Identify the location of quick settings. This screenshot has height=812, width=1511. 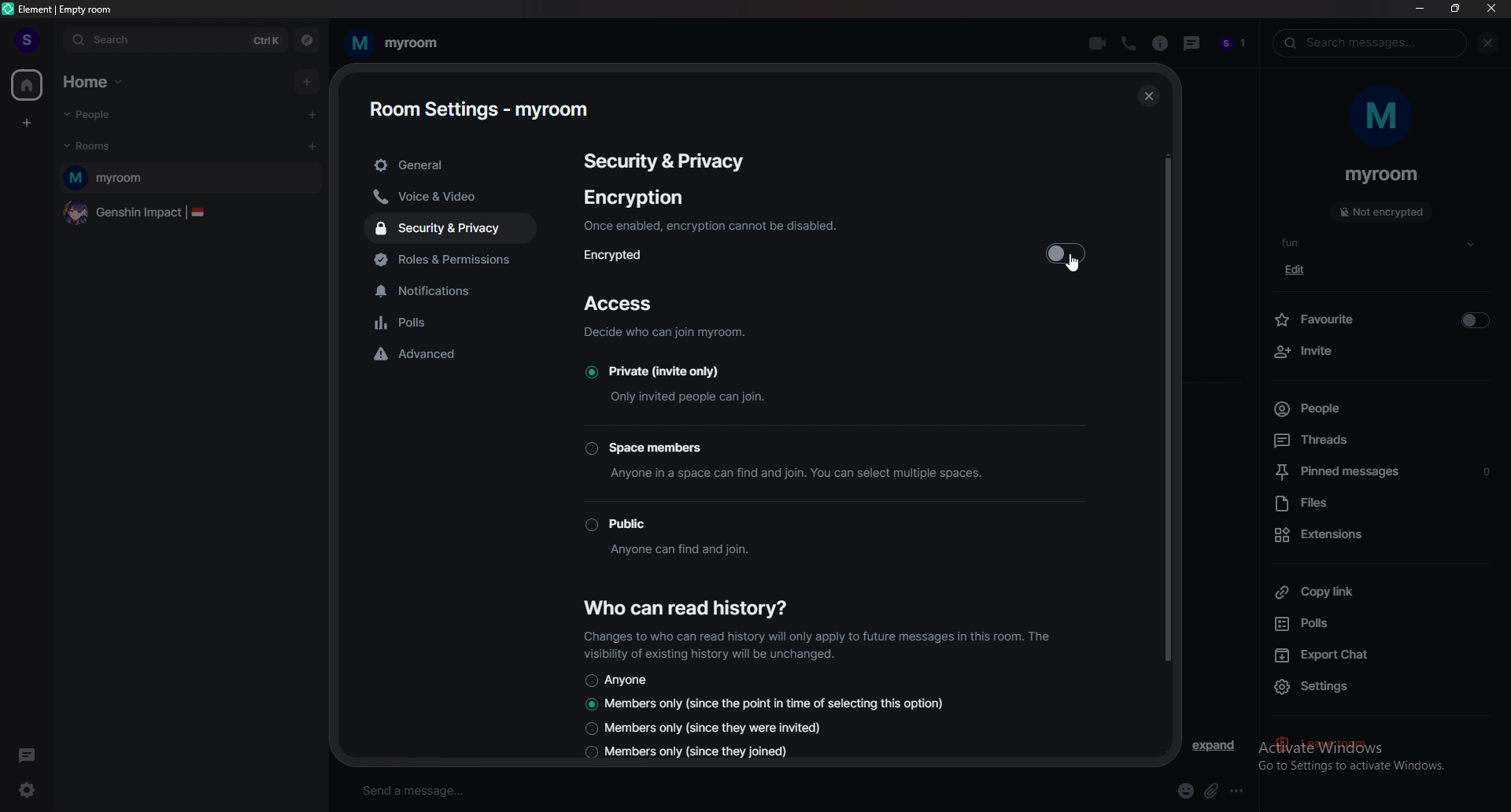
(28, 790).